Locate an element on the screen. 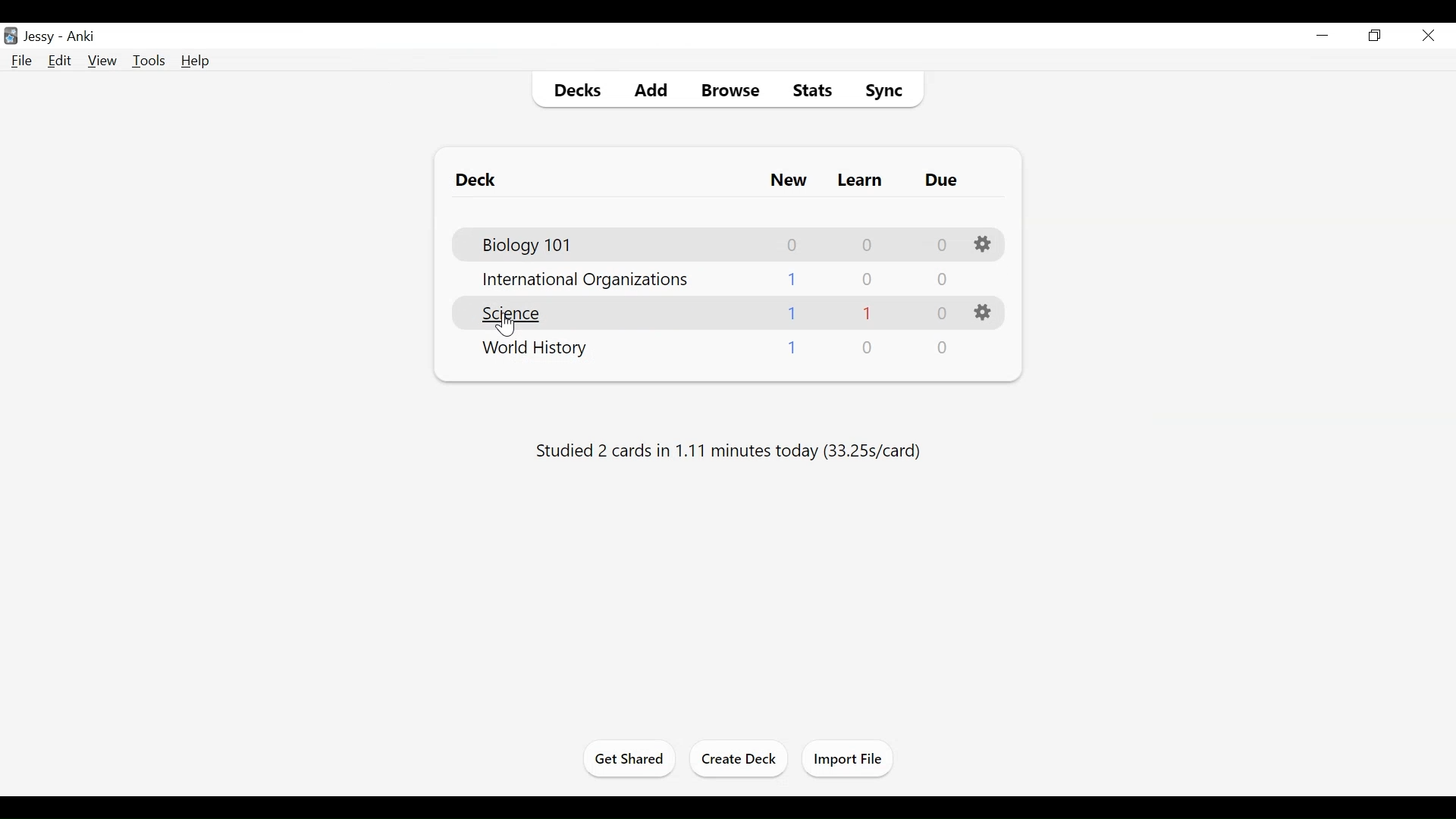 This screenshot has width=1456, height=819. File is located at coordinates (22, 61).